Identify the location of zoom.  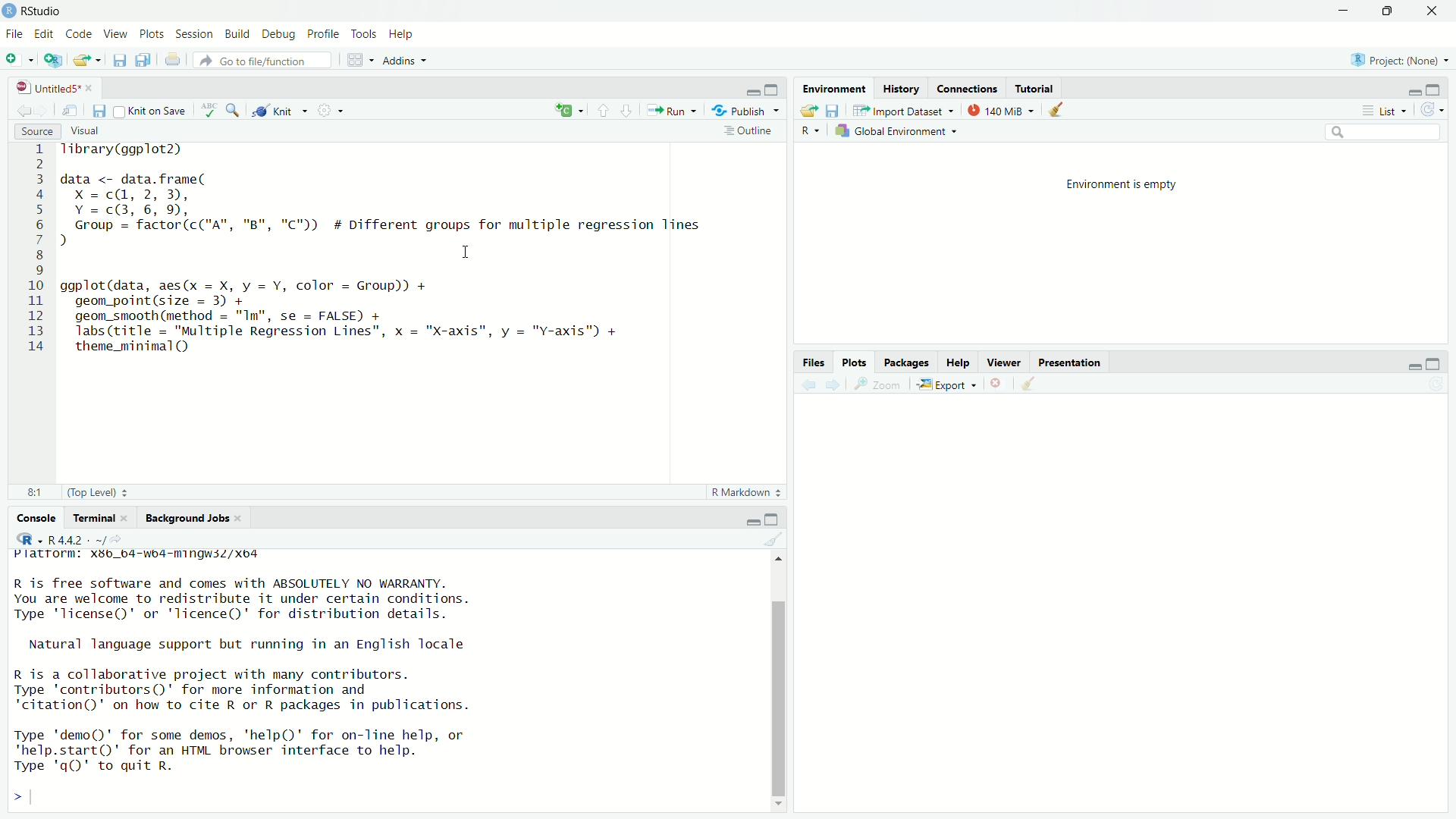
(232, 110).